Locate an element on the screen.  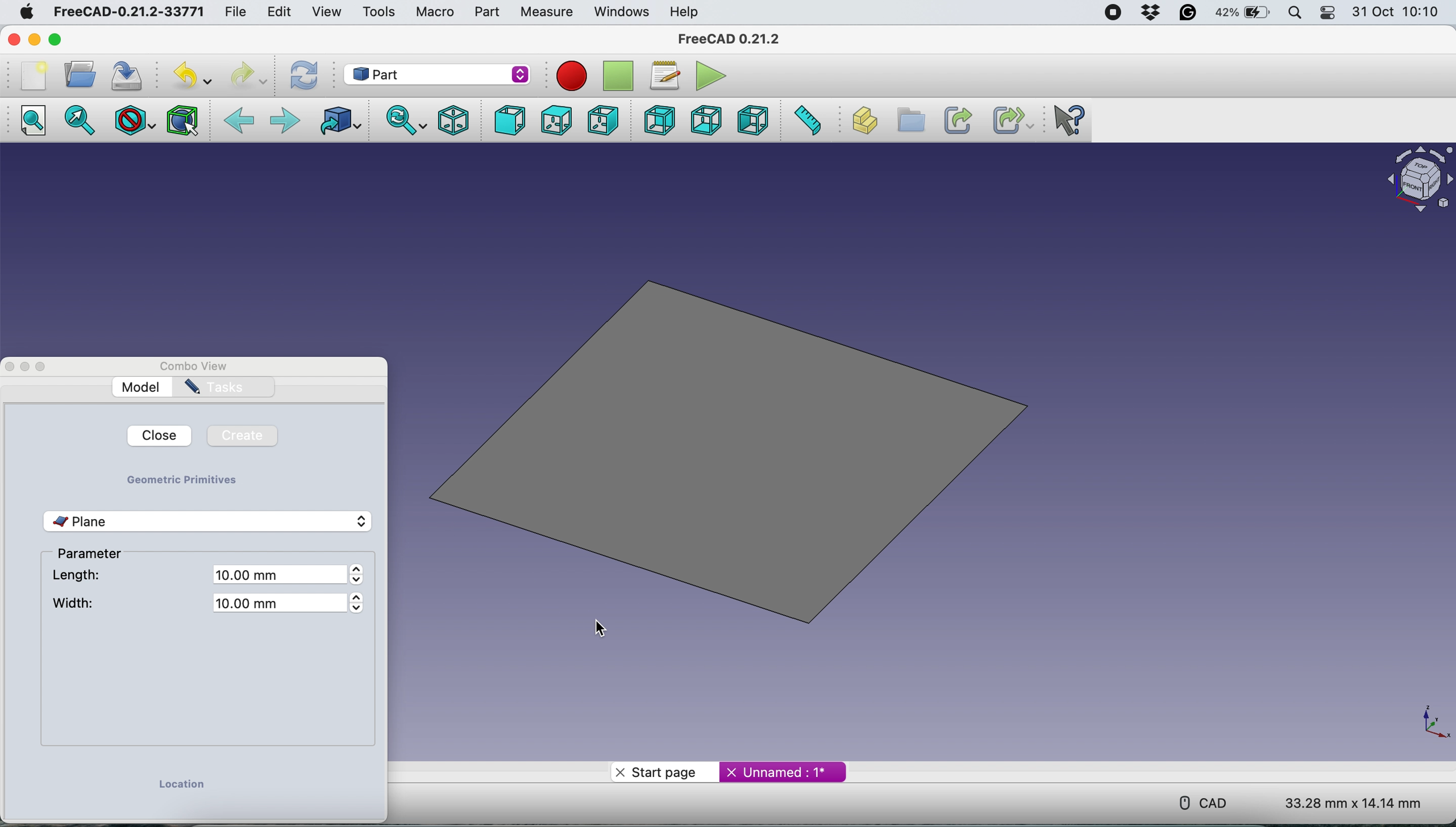
Unnamed : 1 is located at coordinates (783, 771).